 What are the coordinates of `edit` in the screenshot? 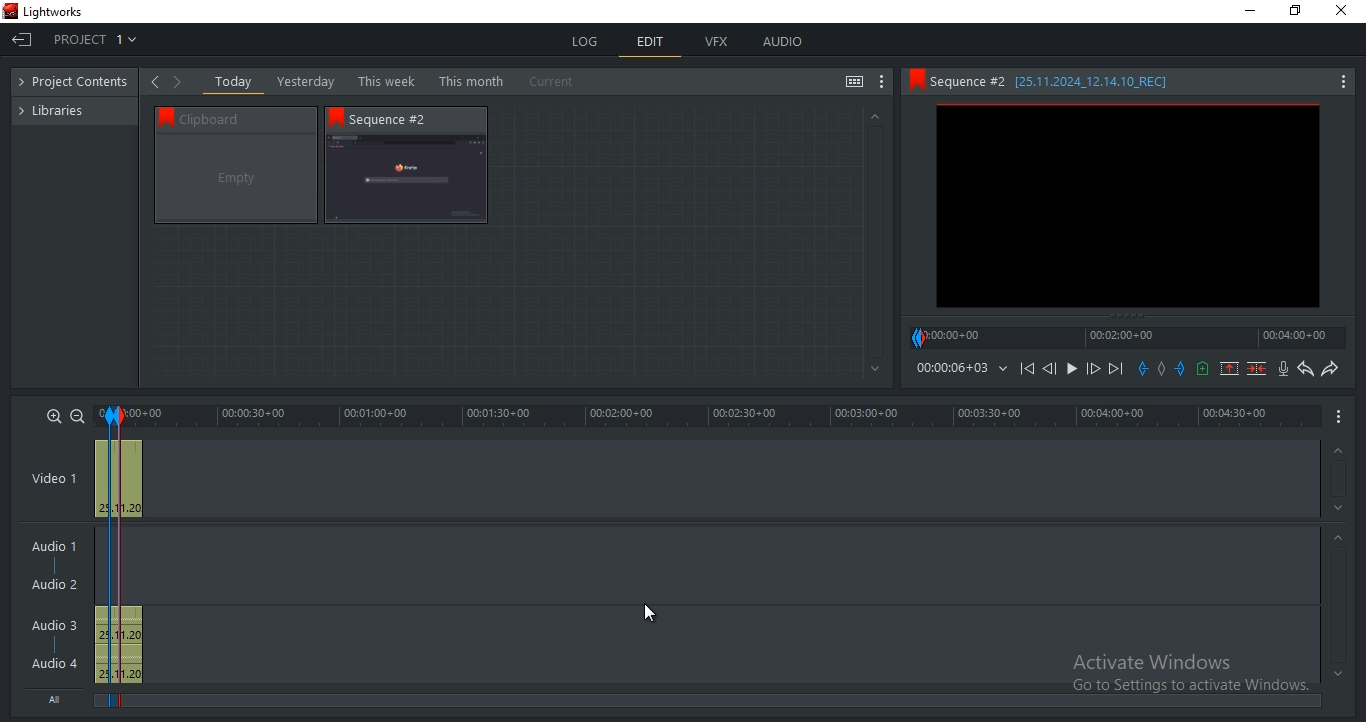 It's located at (651, 44).